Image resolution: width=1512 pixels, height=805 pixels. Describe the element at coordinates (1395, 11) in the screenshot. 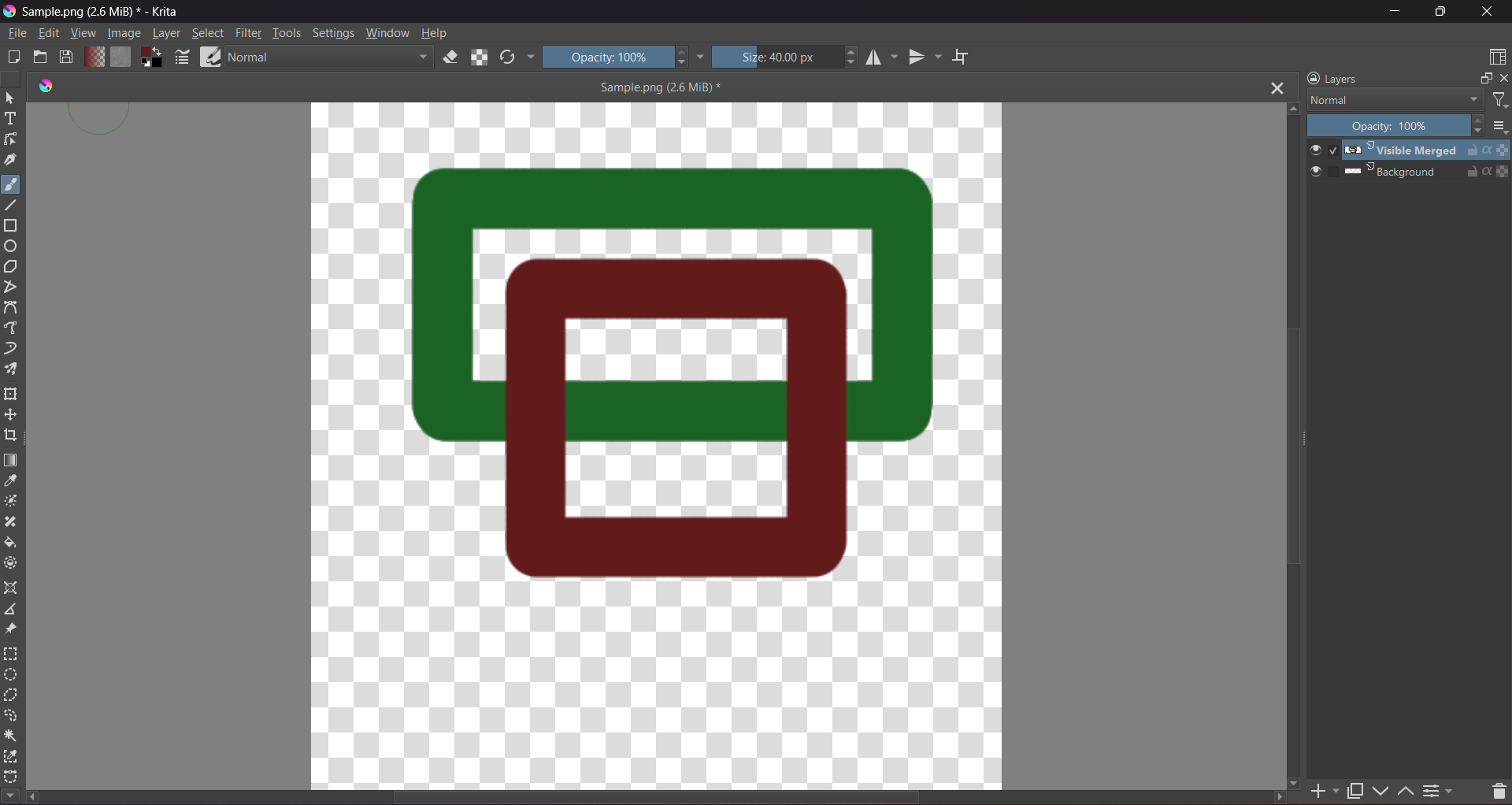

I see `Minimize` at that location.